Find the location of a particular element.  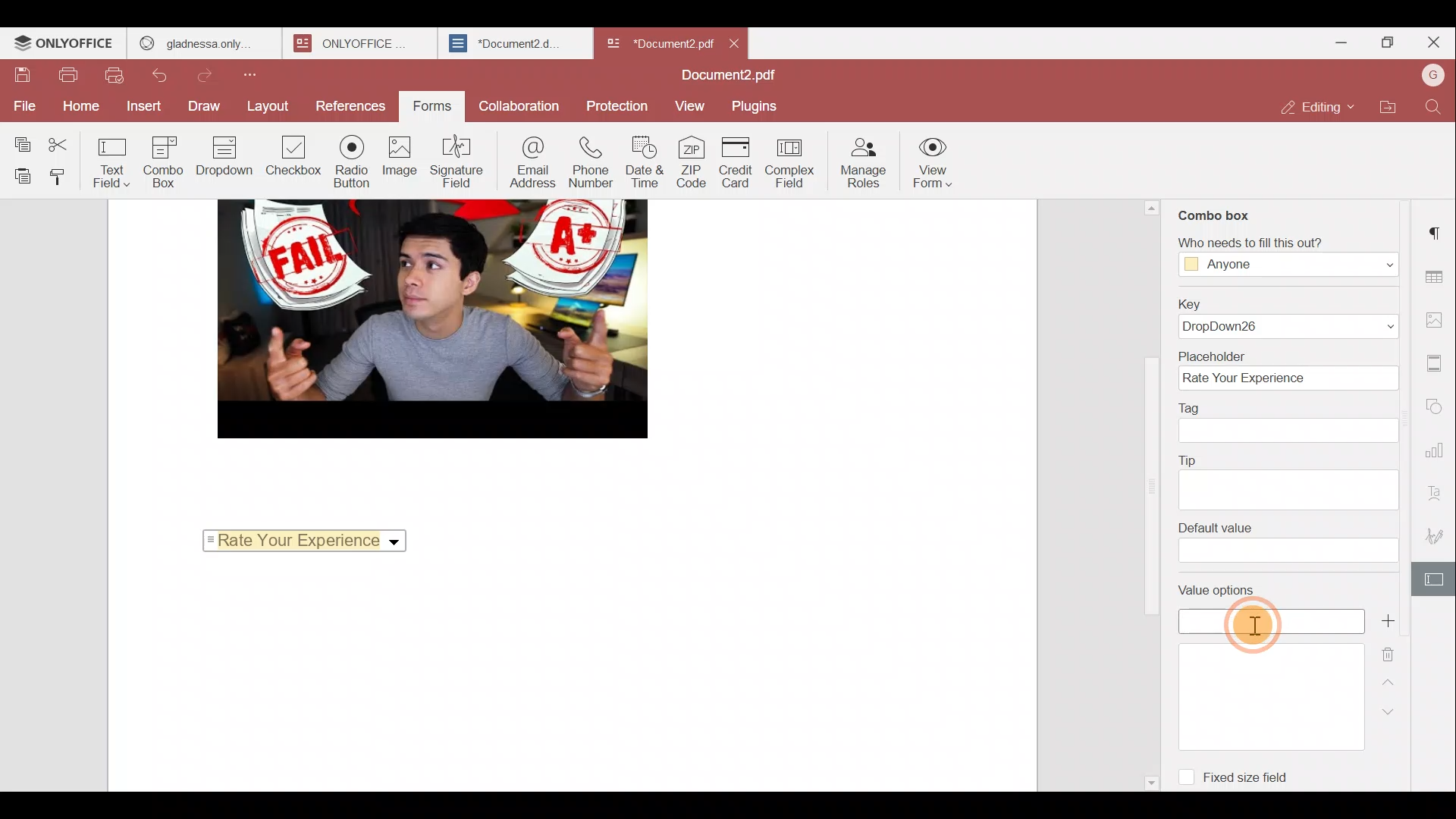

Close is located at coordinates (736, 41).